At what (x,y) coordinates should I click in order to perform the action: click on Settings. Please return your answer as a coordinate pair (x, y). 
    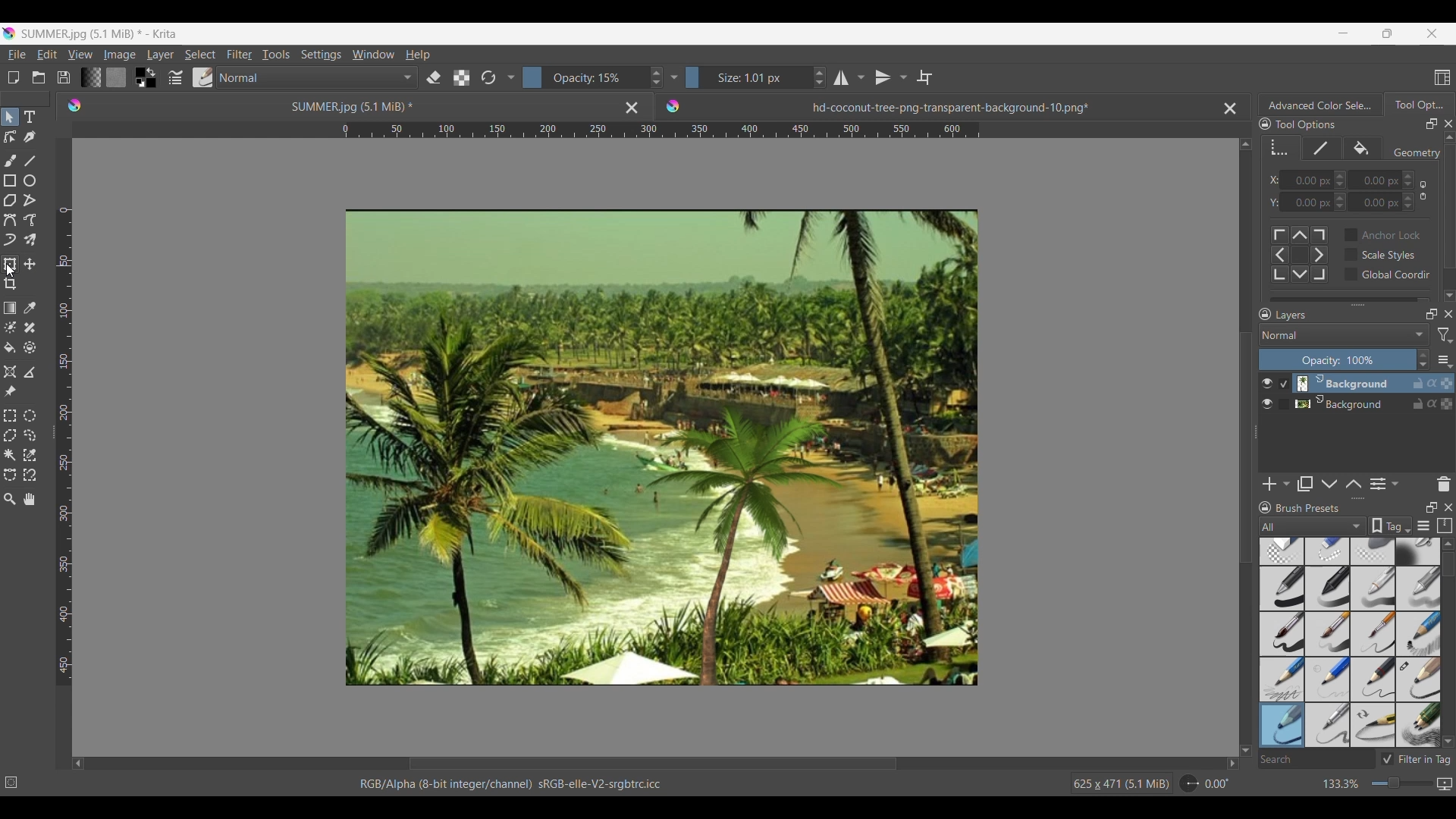
    Looking at the image, I should click on (321, 54).